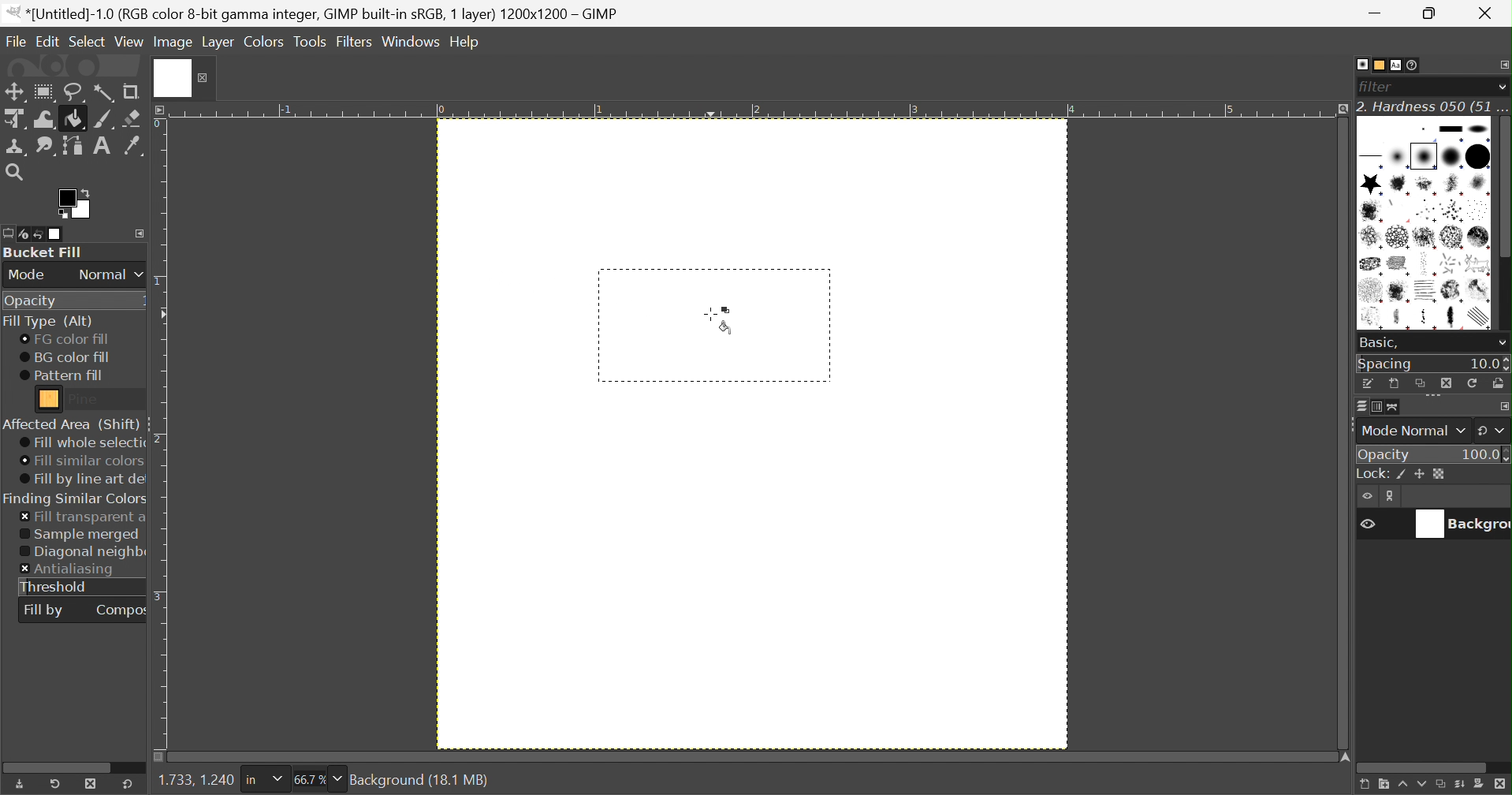 Image resolution: width=1512 pixels, height=795 pixels. I want to click on Oils, so click(1451, 291).